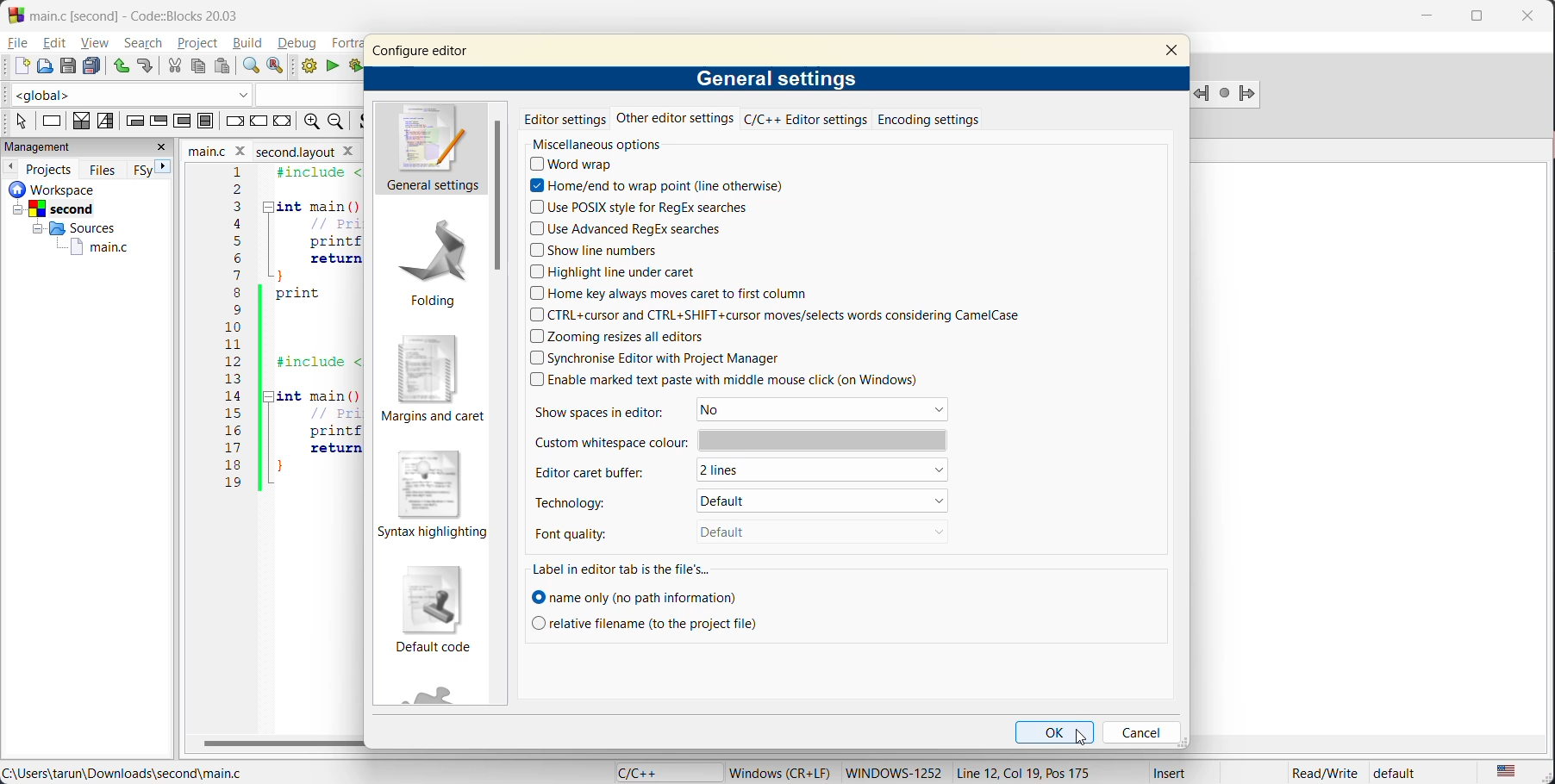 The image size is (1555, 784). Describe the element at coordinates (105, 122) in the screenshot. I see `selection` at that location.